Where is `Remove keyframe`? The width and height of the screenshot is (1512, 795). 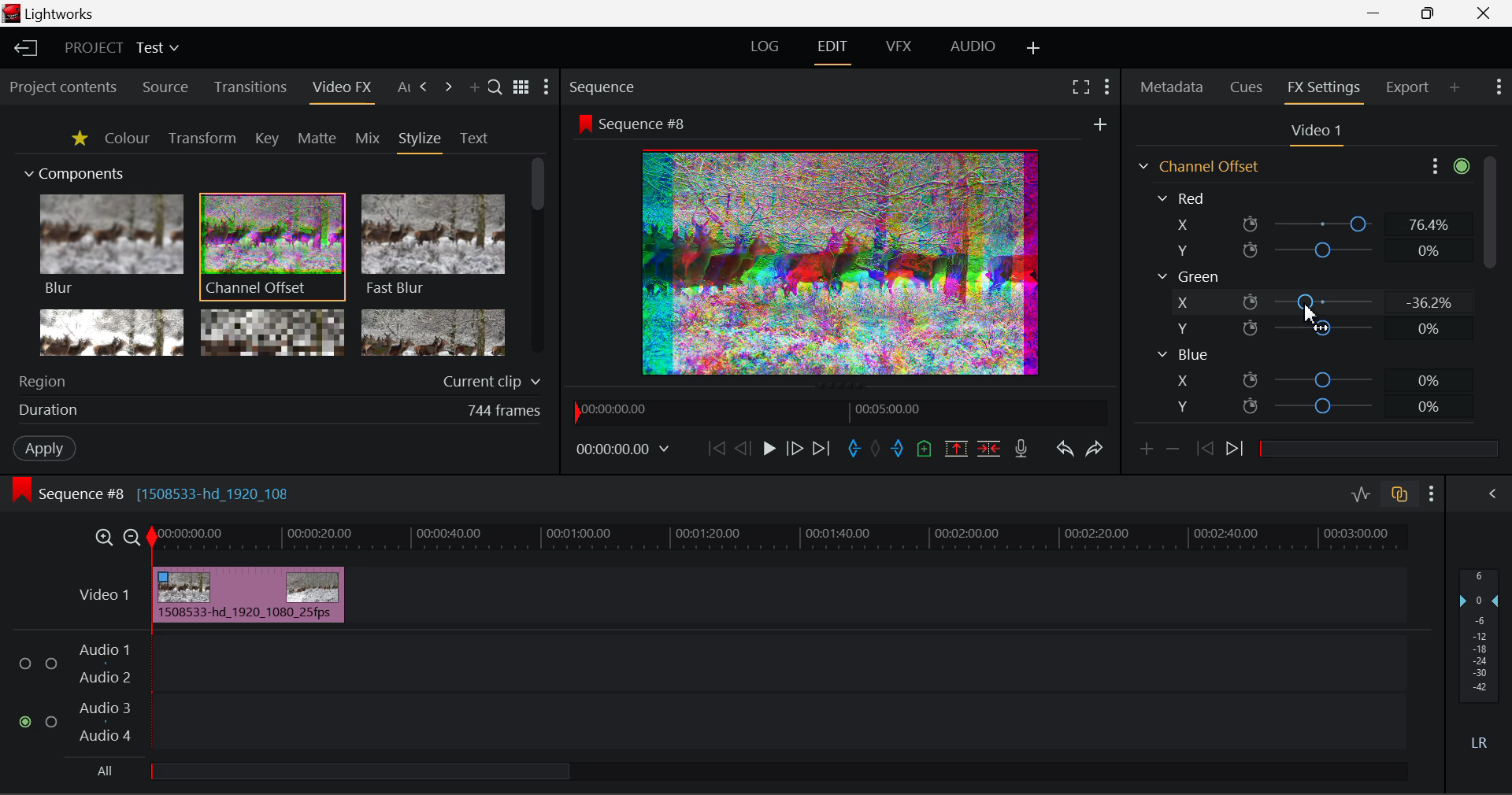 Remove keyframe is located at coordinates (1173, 453).